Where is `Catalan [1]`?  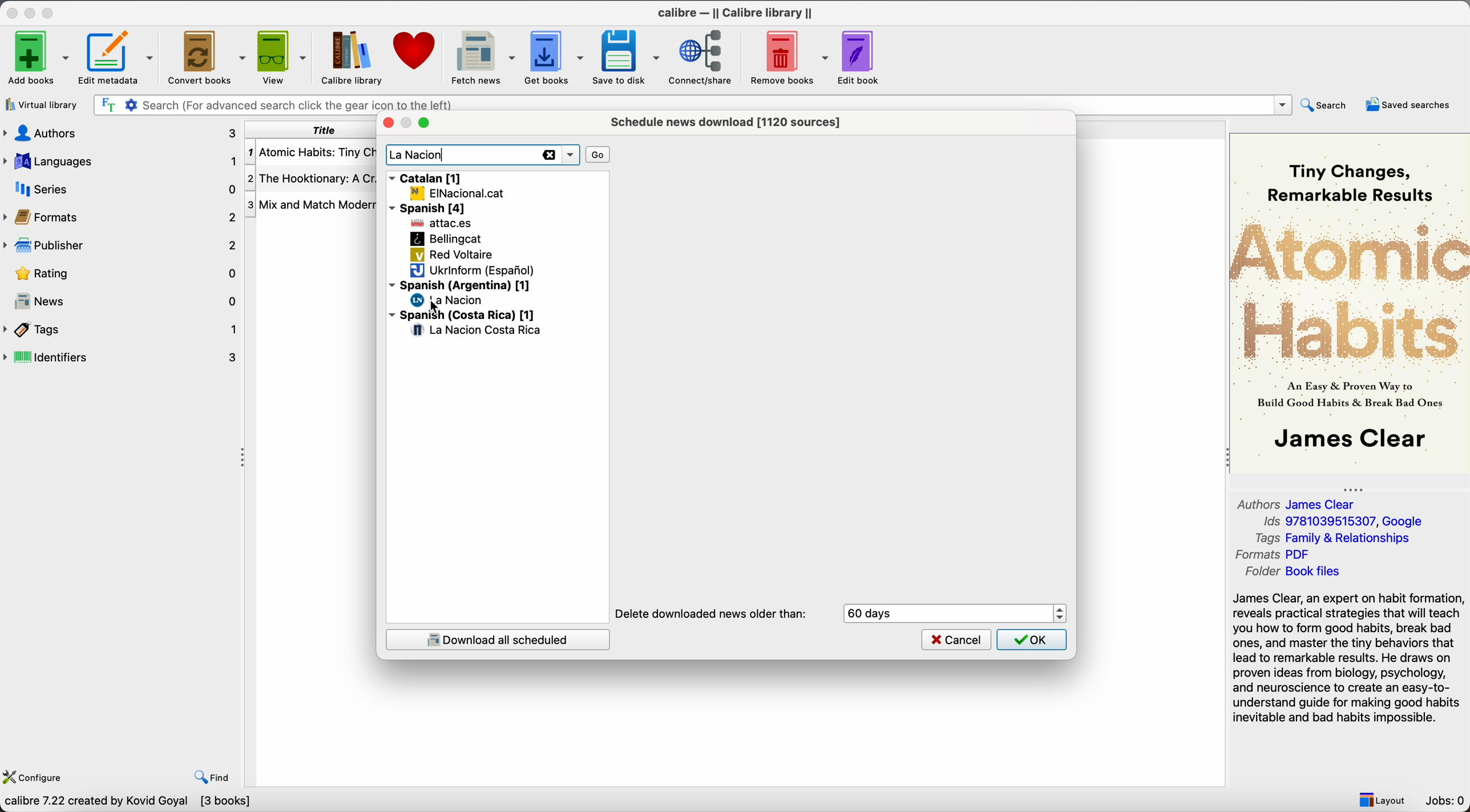 Catalan [1] is located at coordinates (427, 176).